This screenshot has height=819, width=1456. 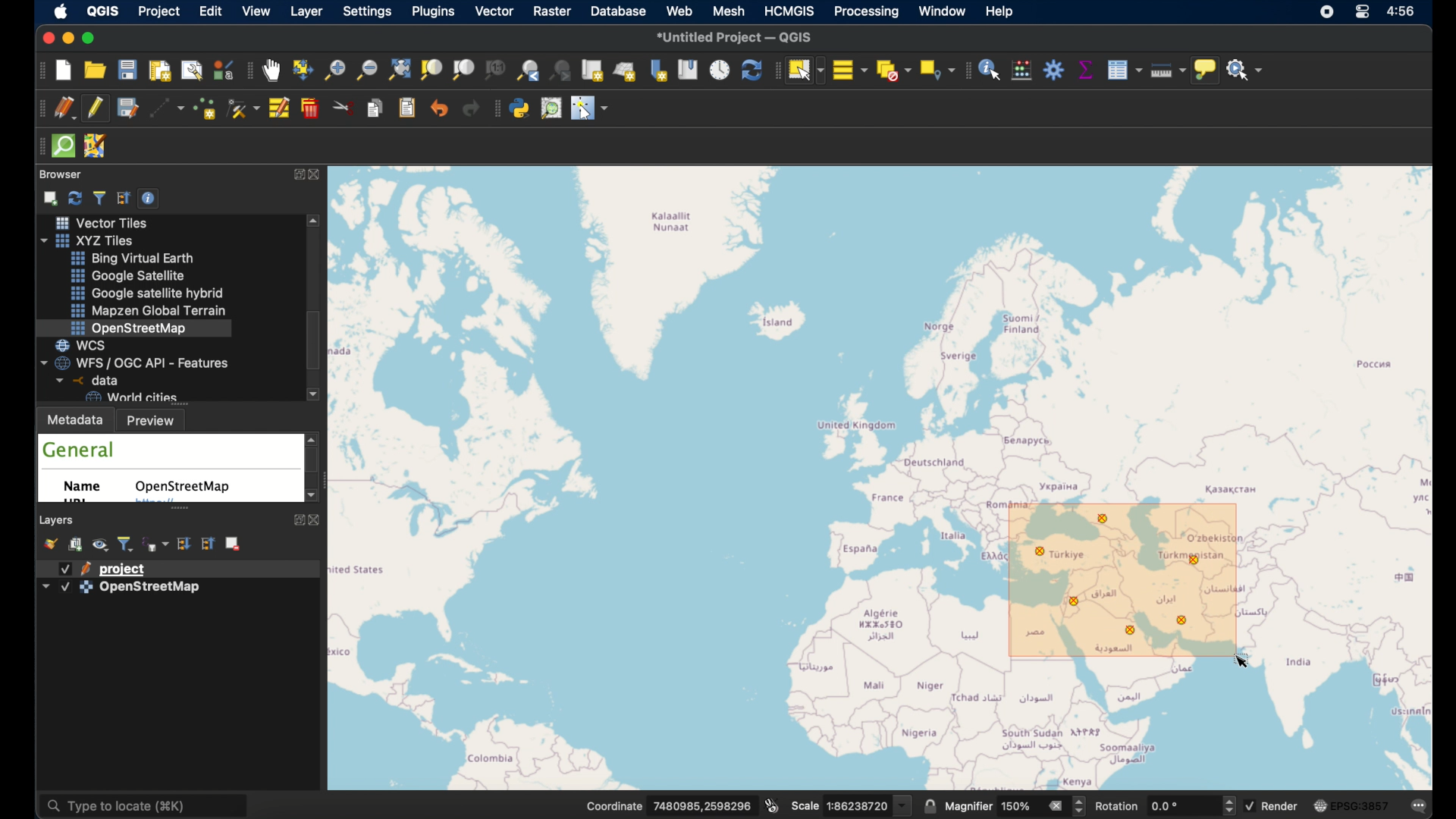 I want to click on , so click(x=158, y=11).